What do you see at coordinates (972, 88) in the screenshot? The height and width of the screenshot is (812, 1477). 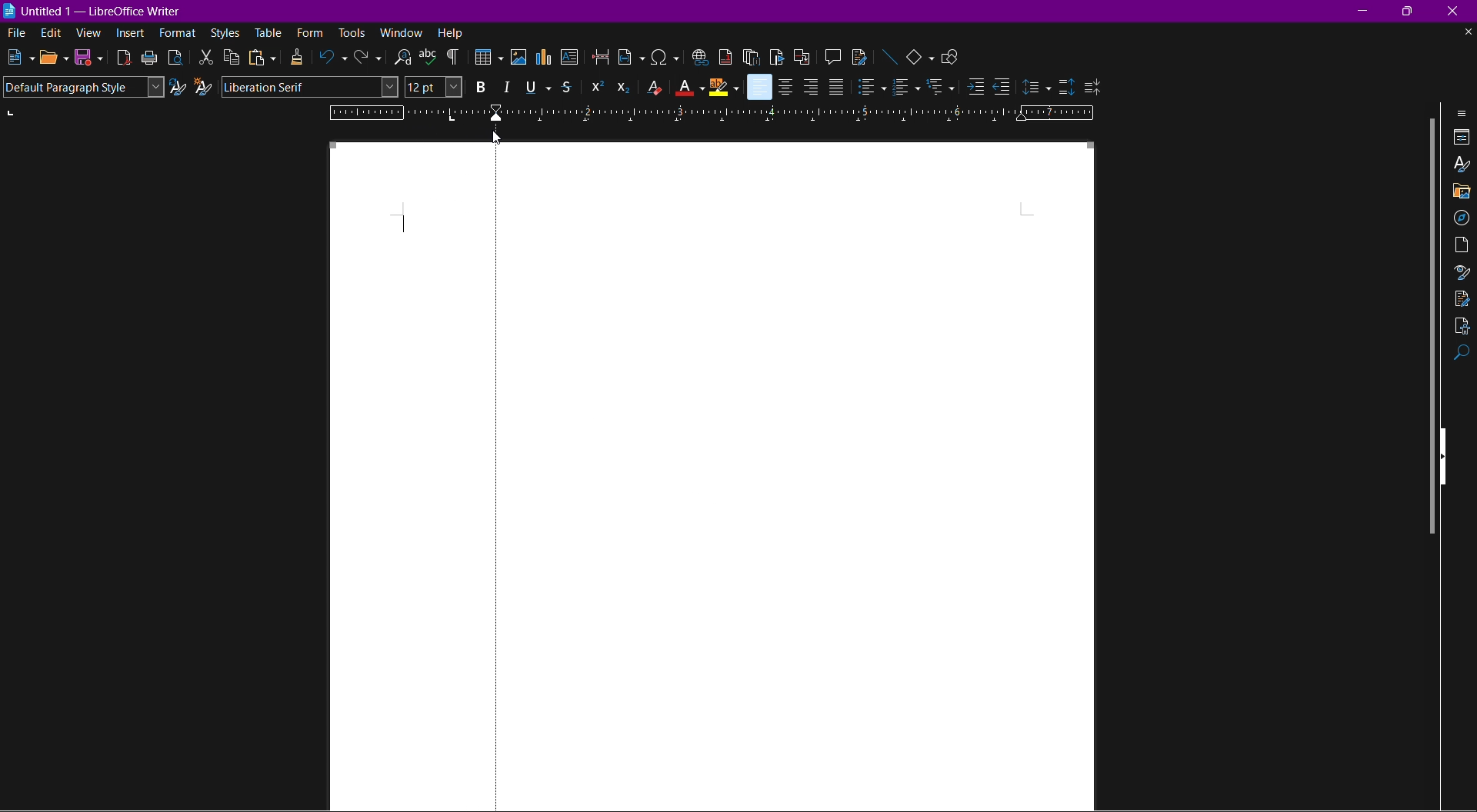 I see `Increase Indent` at bounding box center [972, 88].